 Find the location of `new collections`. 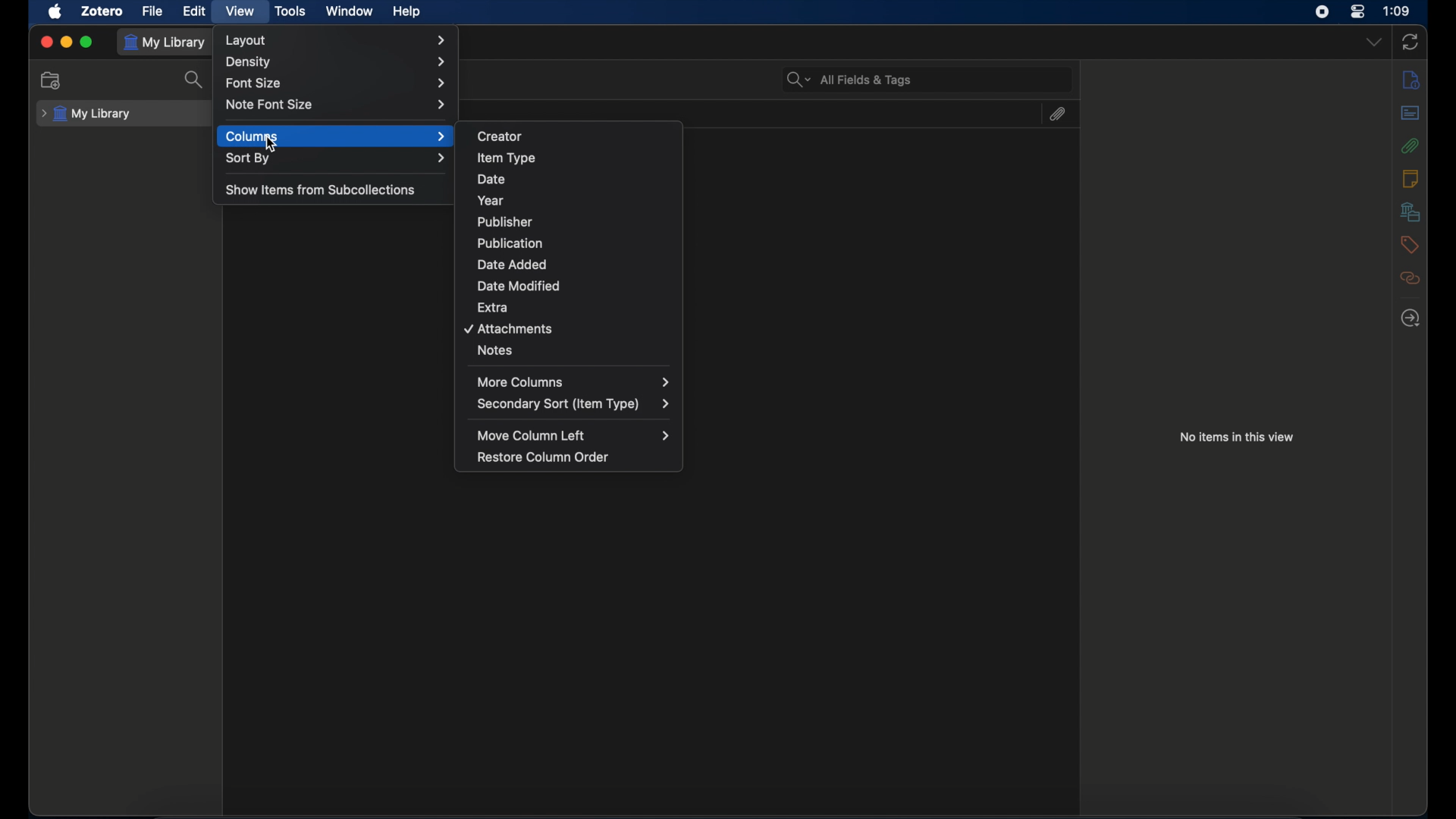

new collections is located at coordinates (53, 80).